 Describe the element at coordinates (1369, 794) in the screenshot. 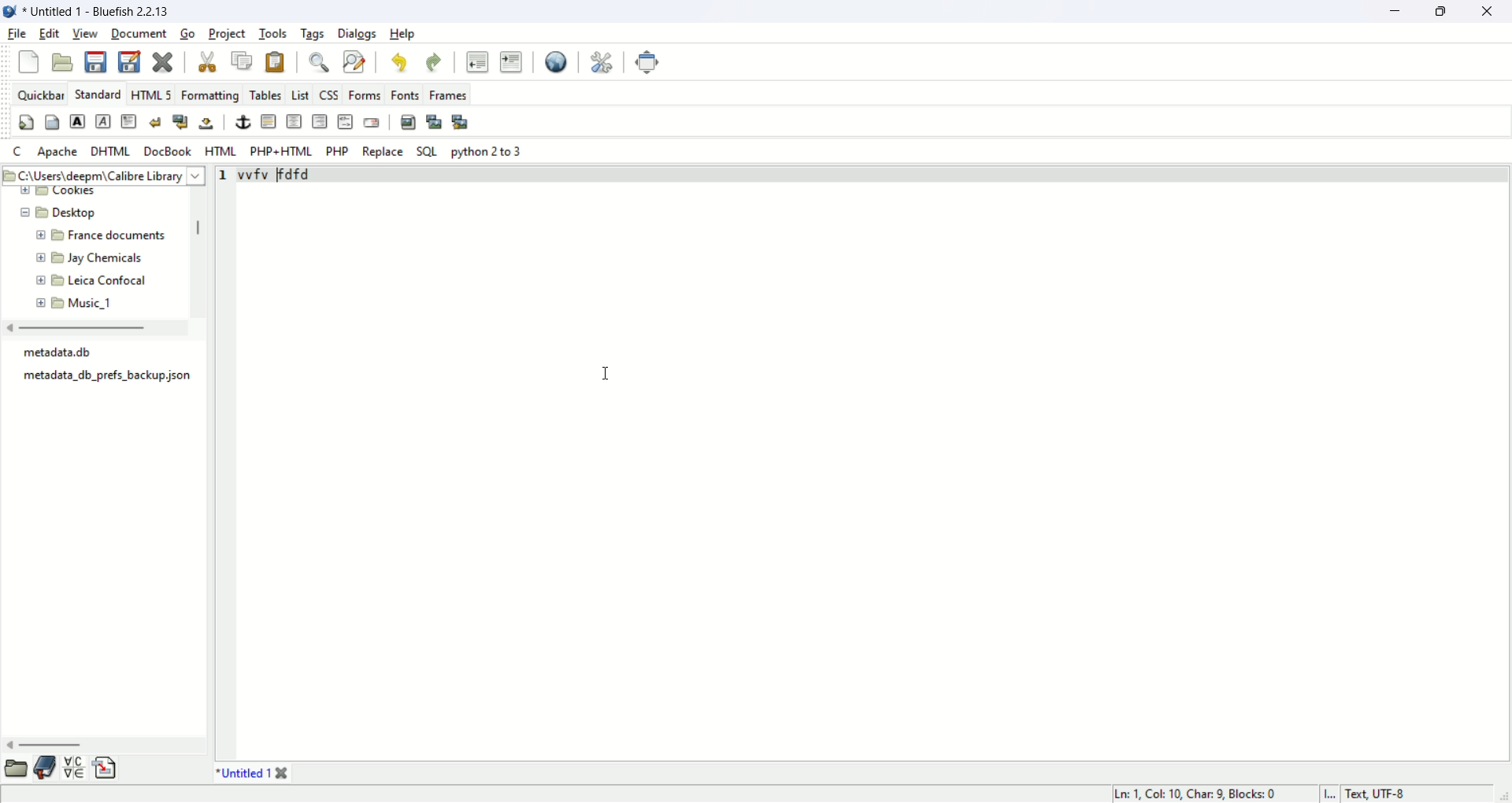

I see `I... Text, UTF-8` at that location.